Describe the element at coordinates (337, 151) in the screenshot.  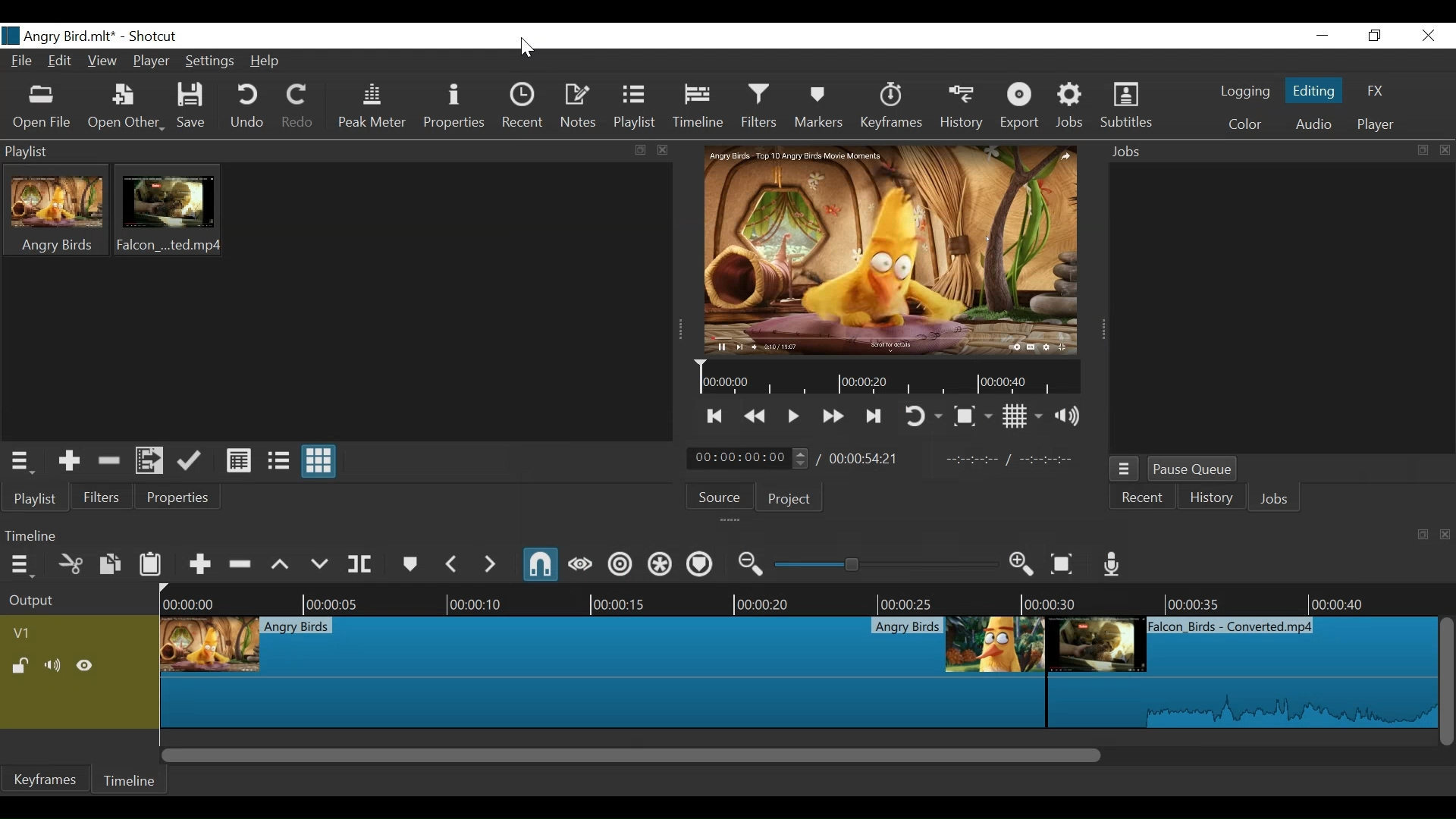
I see `Playlist Panel` at that location.